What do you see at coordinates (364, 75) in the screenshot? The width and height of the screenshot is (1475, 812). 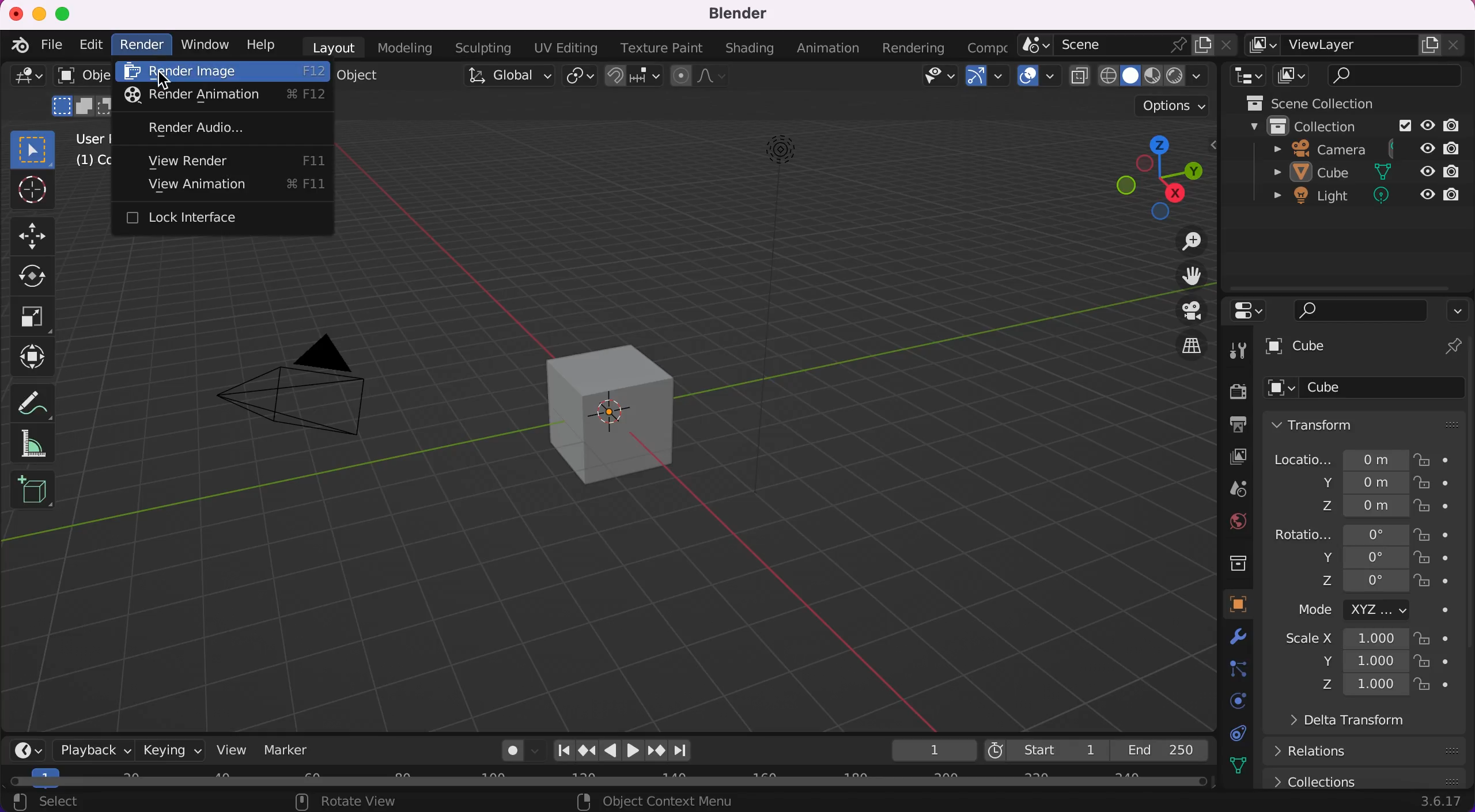 I see `object` at bounding box center [364, 75].